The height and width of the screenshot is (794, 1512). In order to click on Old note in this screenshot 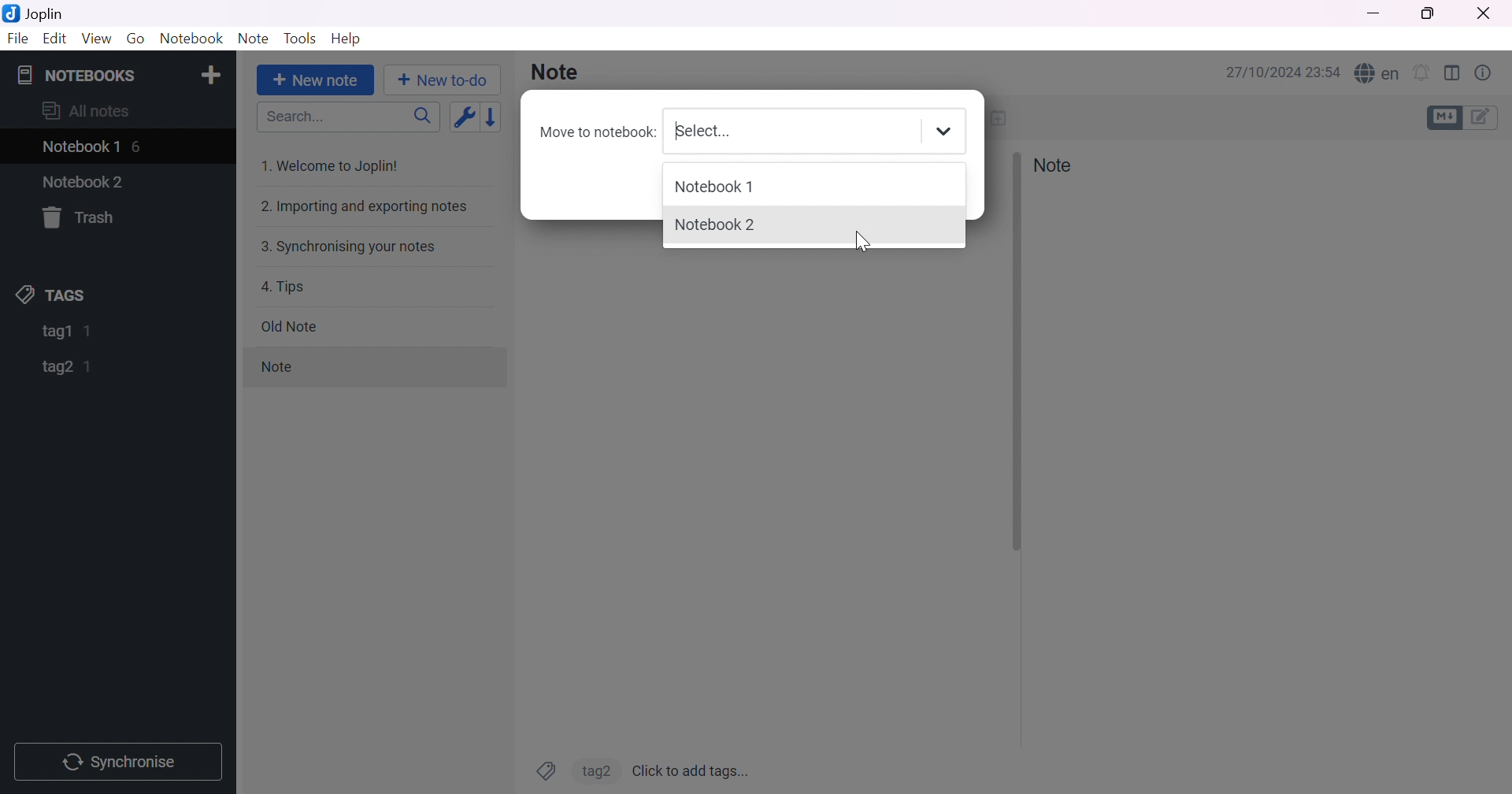, I will do `click(287, 326)`.